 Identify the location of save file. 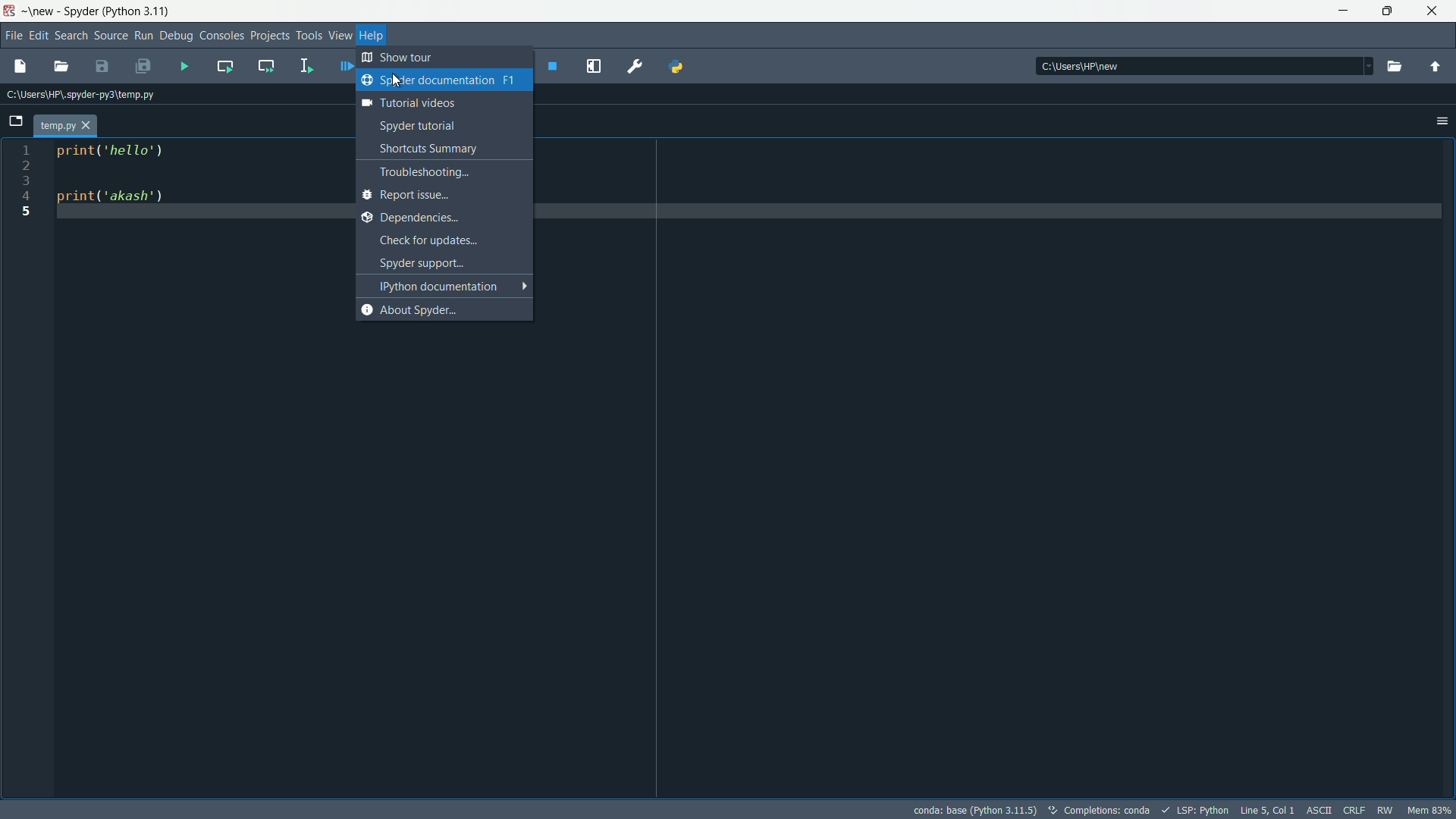
(102, 67).